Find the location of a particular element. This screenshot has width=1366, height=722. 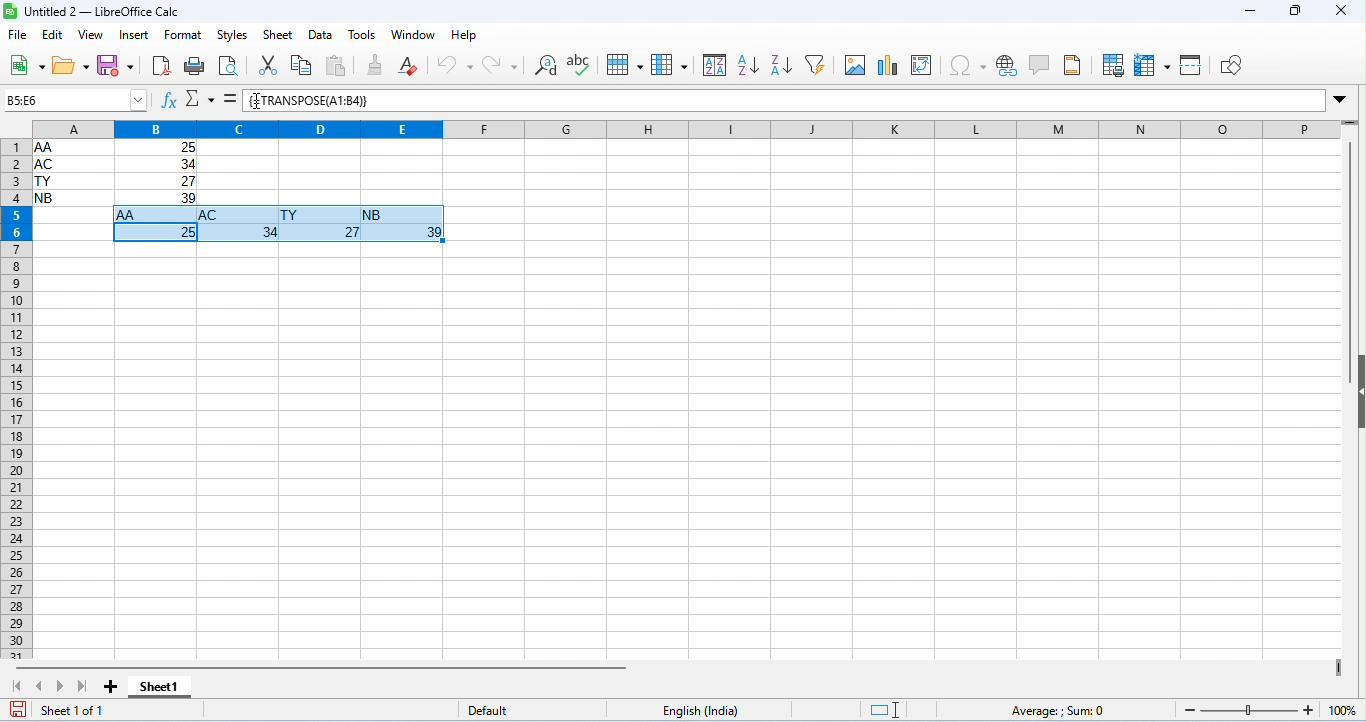

column is located at coordinates (669, 65).